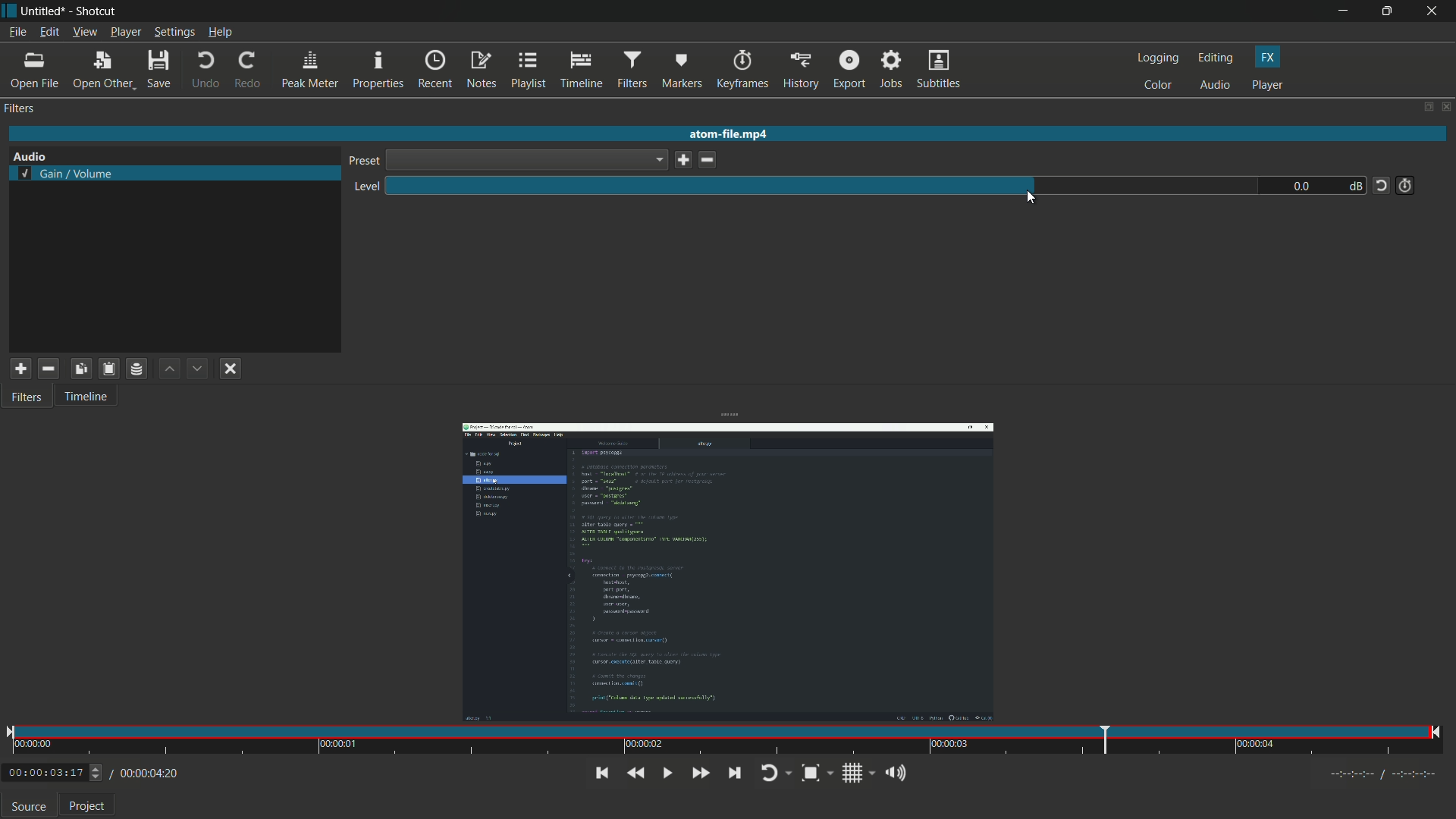 The height and width of the screenshot is (819, 1456). Describe the element at coordinates (734, 773) in the screenshot. I see `skip to next point` at that location.